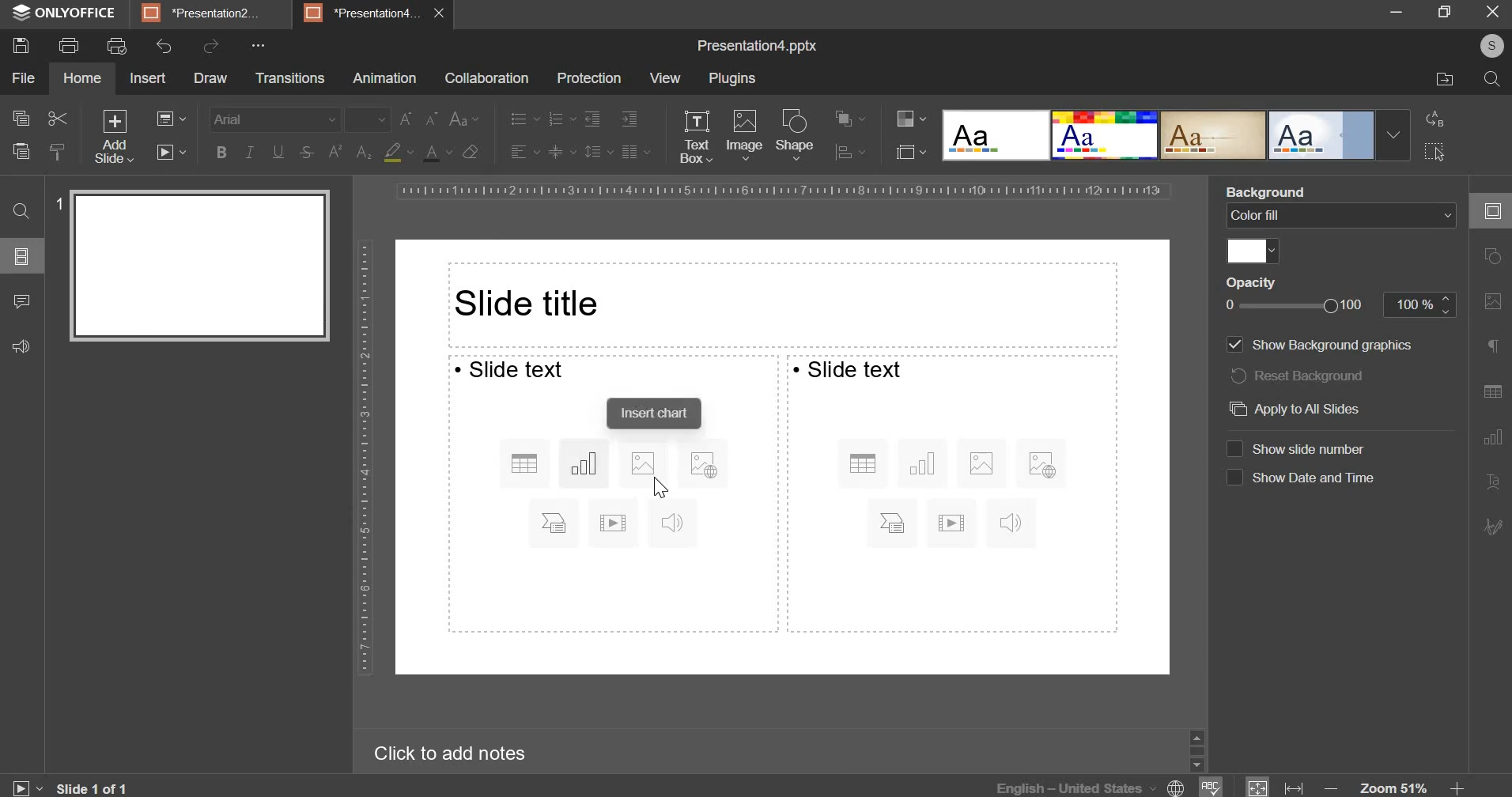 The image size is (1512, 797). Describe the element at coordinates (259, 46) in the screenshot. I see `more options` at that location.